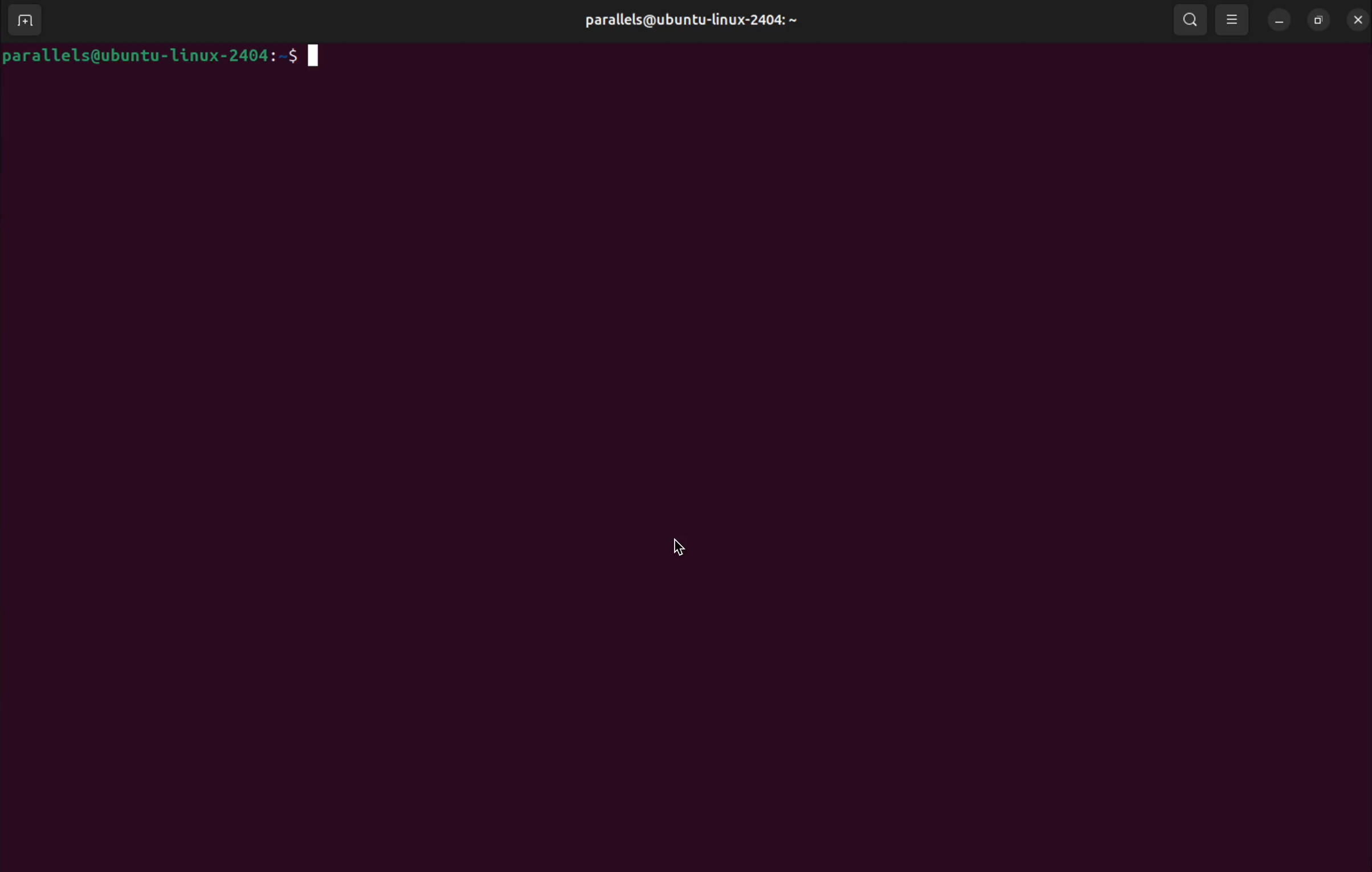  Describe the element at coordinates (1189, 19) in the screenshot. I see `search` at that location.